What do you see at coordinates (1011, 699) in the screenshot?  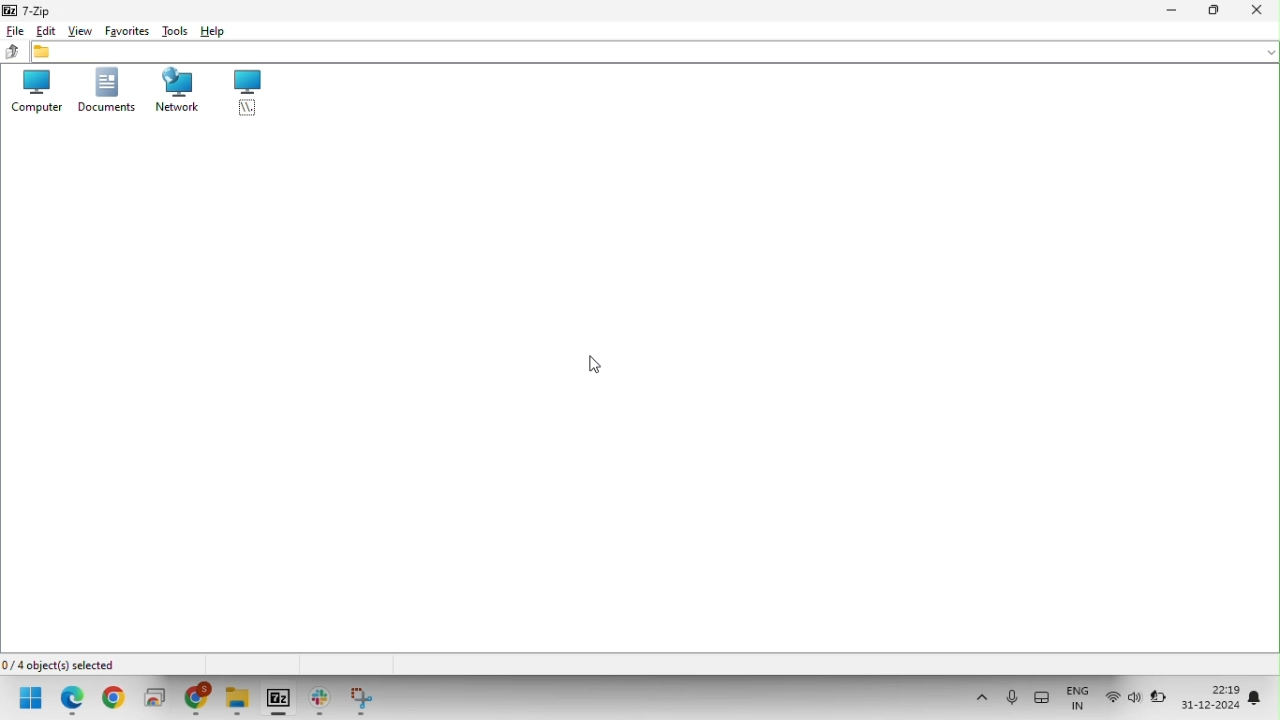 I see `mic` at bounding box center [1011, 699].